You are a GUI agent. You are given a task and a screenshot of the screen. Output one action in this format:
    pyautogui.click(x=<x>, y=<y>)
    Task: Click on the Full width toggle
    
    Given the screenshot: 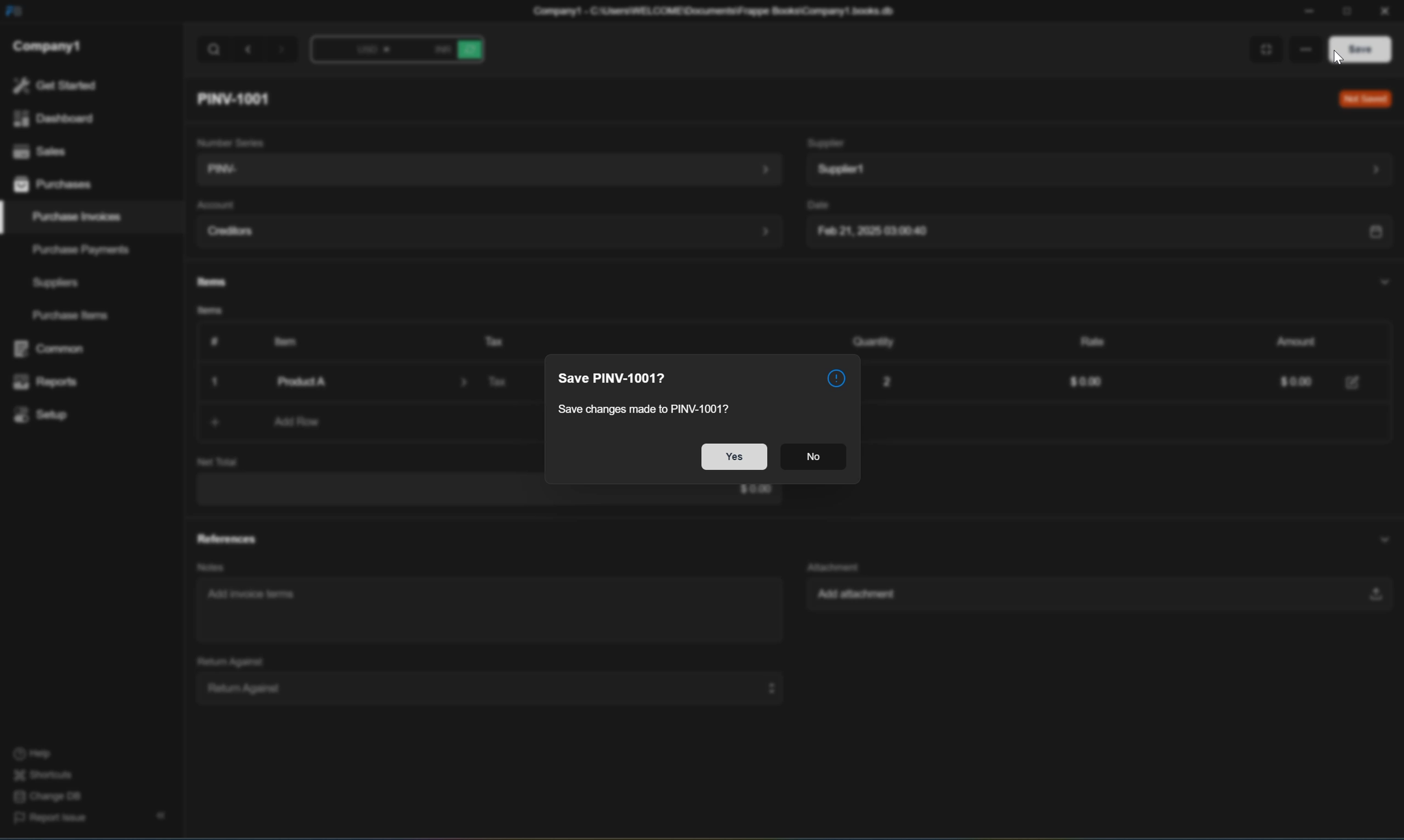 What is the action you would take?
    pyautogui.click(x=1262, y=50)
    